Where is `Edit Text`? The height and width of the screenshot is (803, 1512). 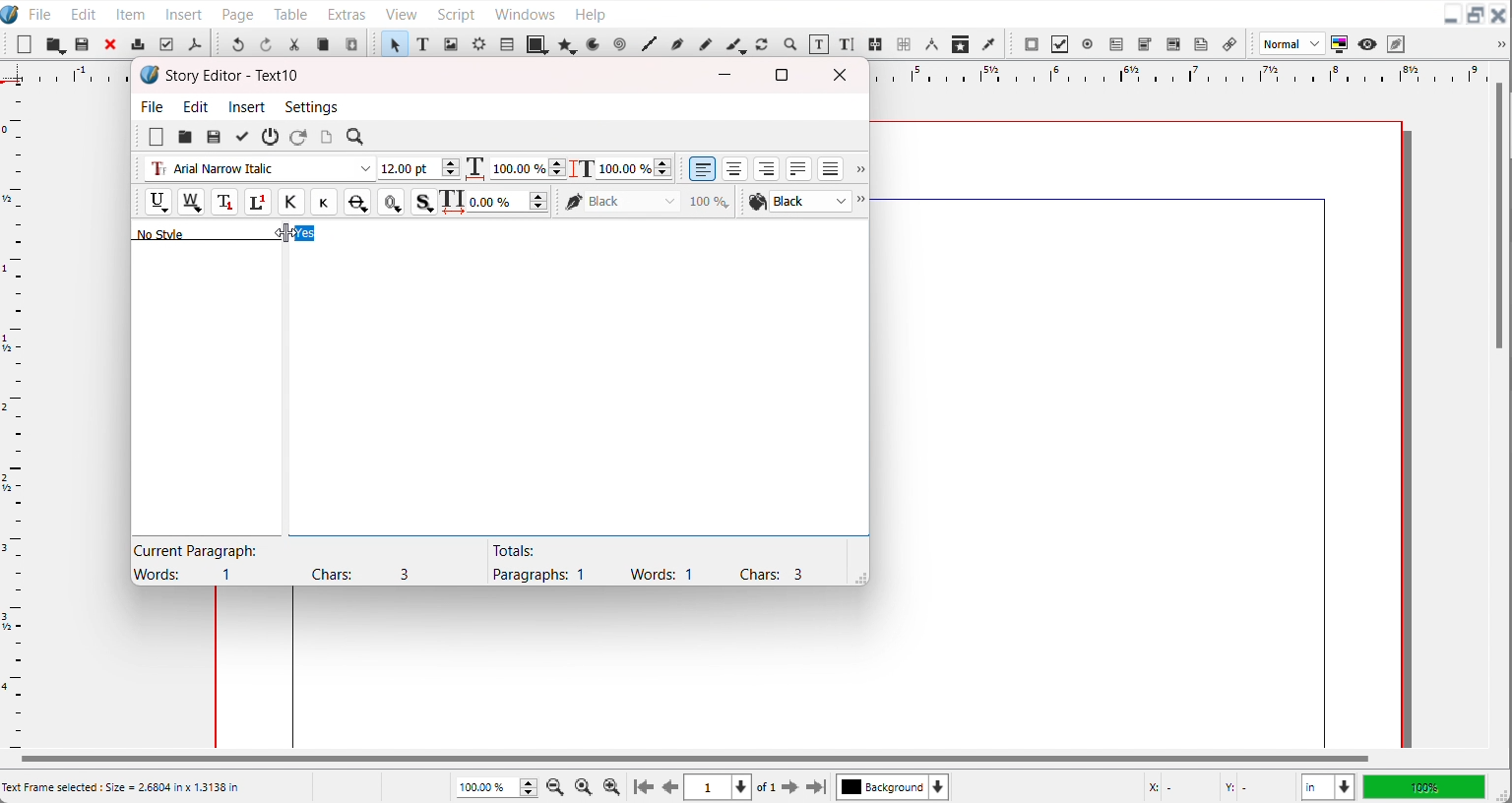 Edit Text is located at coordinates (849, 45).